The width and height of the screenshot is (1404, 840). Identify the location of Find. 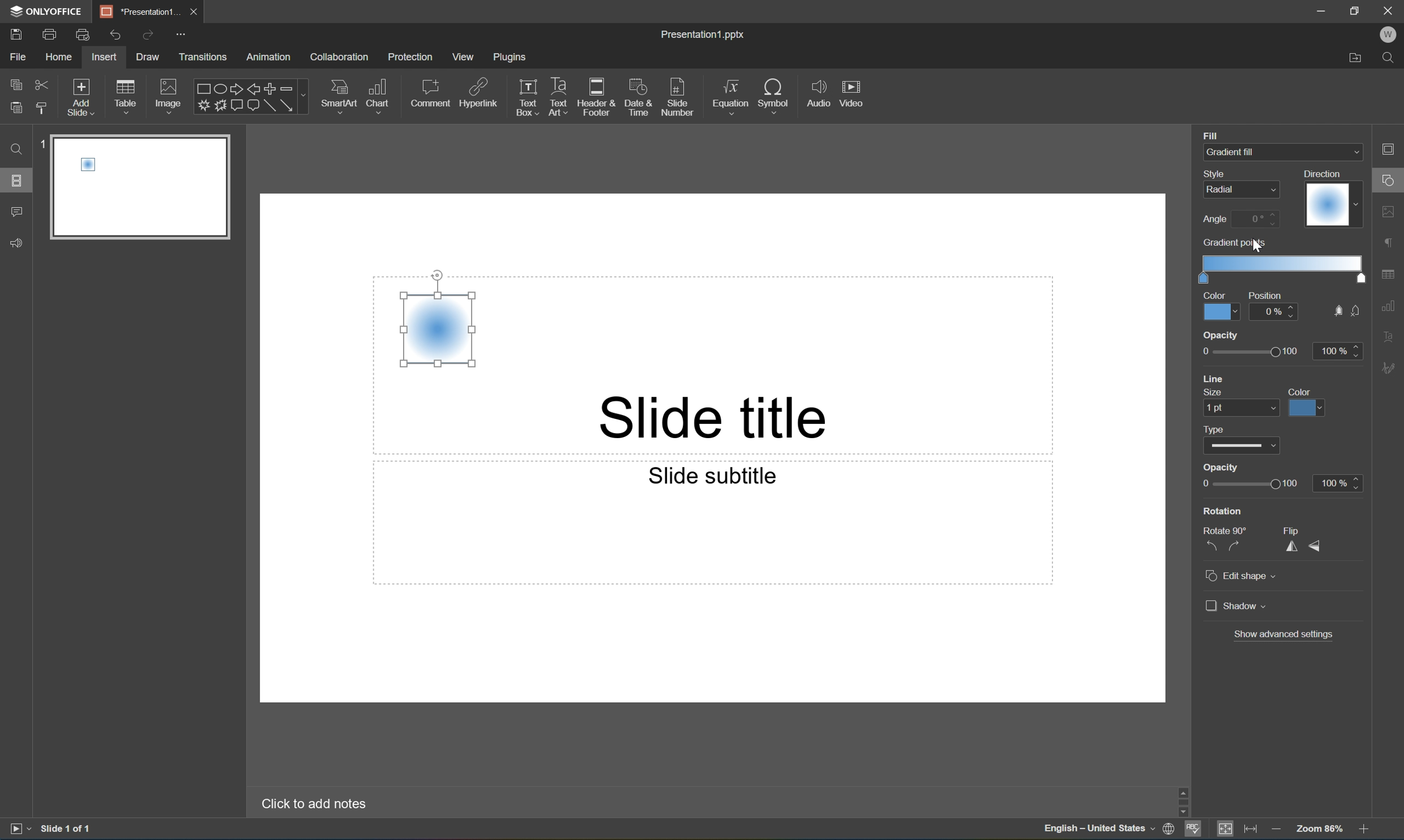
(16, 149).